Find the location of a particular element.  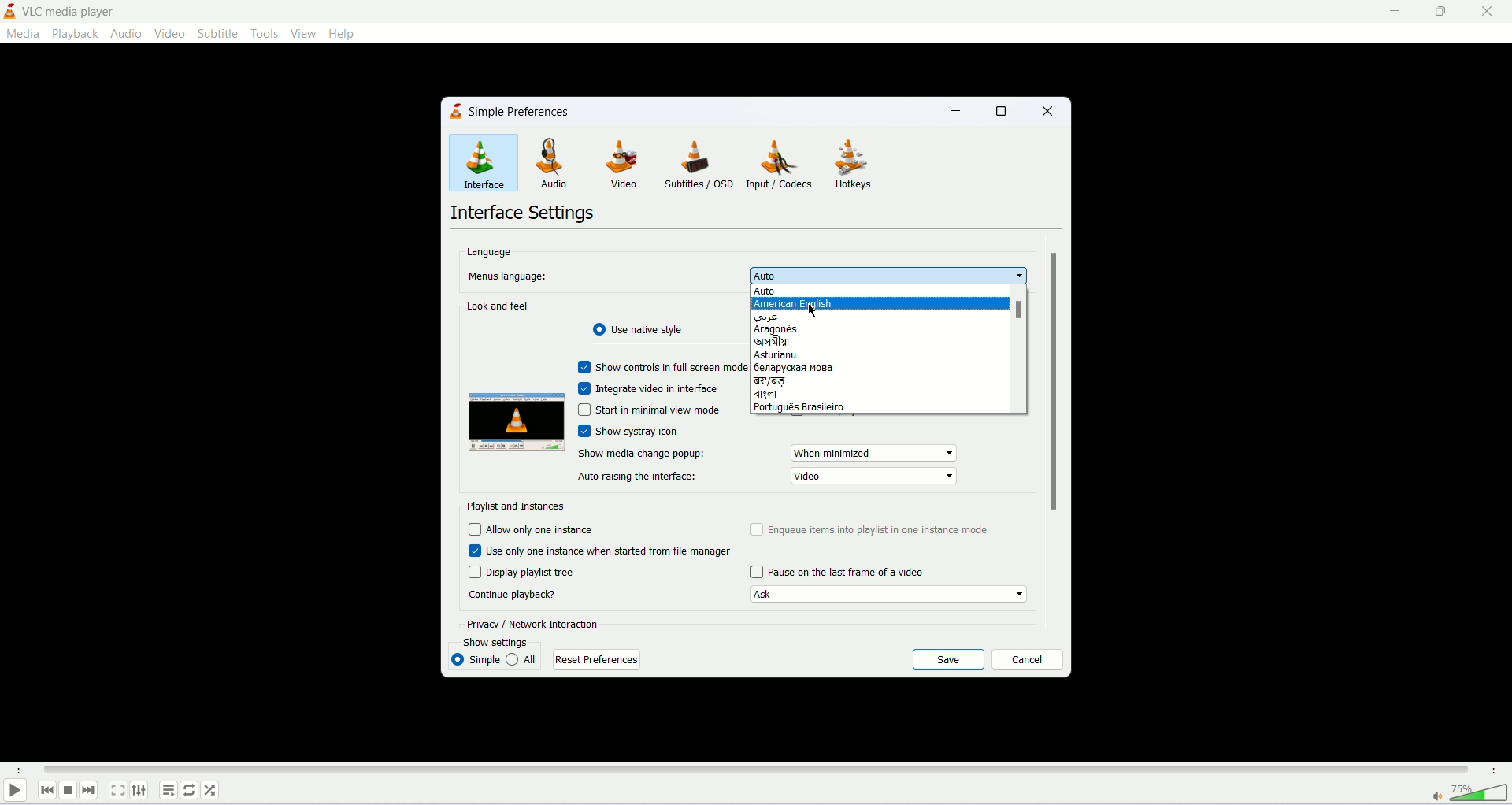

extended settings is located at coordinates (139, 789).